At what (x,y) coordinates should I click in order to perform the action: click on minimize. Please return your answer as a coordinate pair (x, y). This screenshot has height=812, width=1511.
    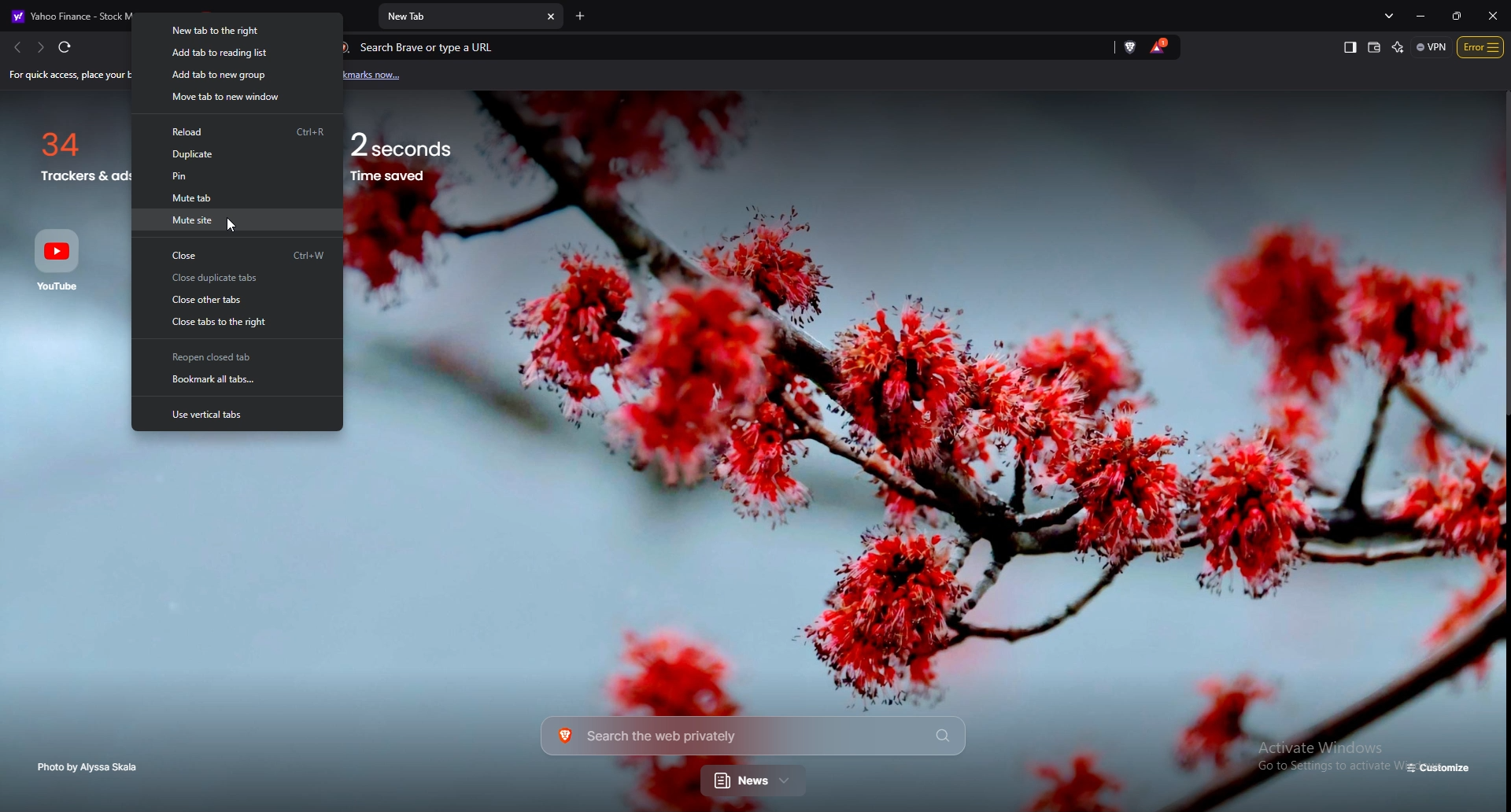
    Looking at the image, I should click on (1424, 16).